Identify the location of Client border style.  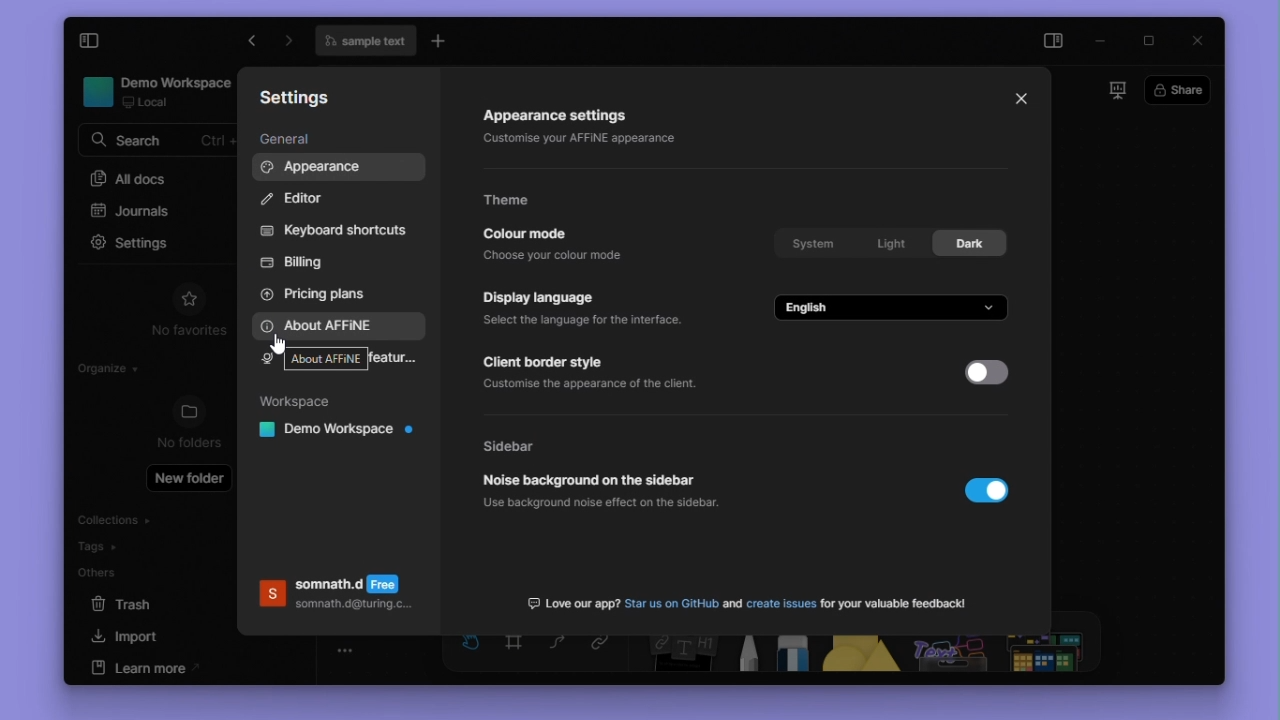
(596, 371).